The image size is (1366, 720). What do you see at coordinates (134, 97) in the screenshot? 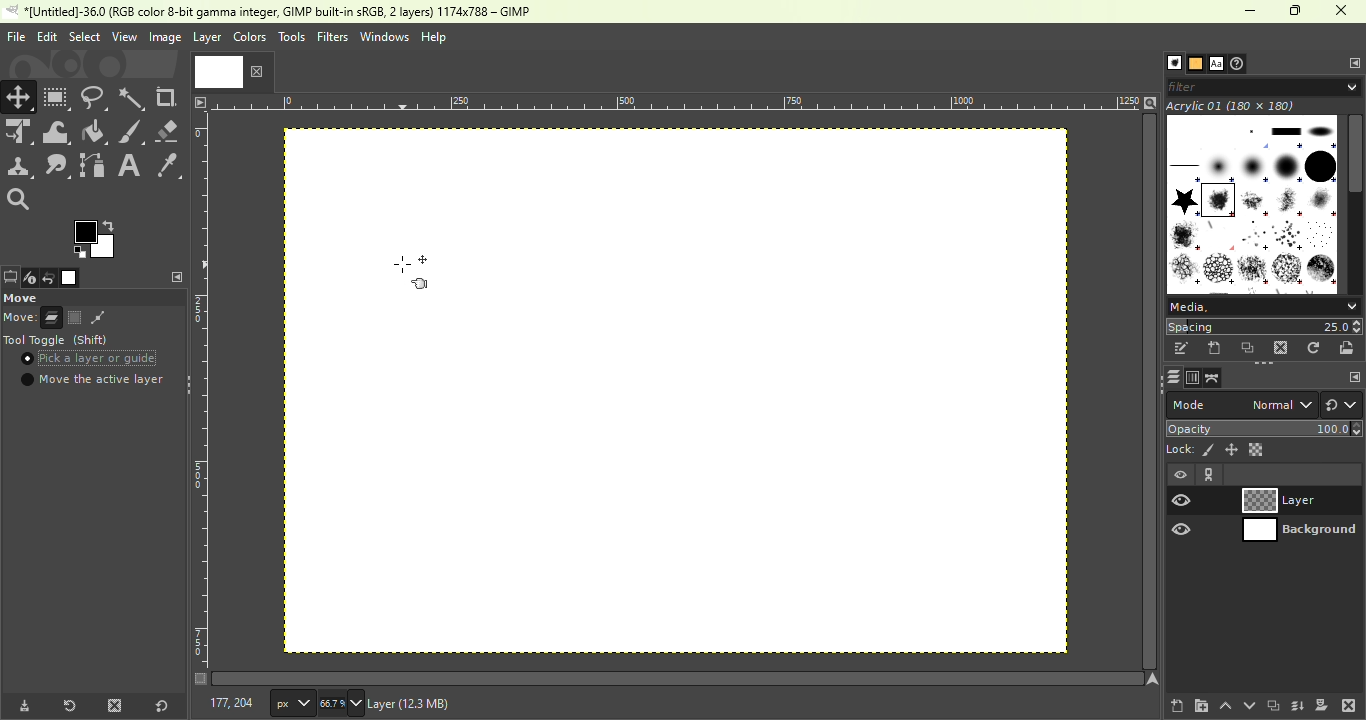
I see `Fuzzy select tool` at bounding box center [134, 97].